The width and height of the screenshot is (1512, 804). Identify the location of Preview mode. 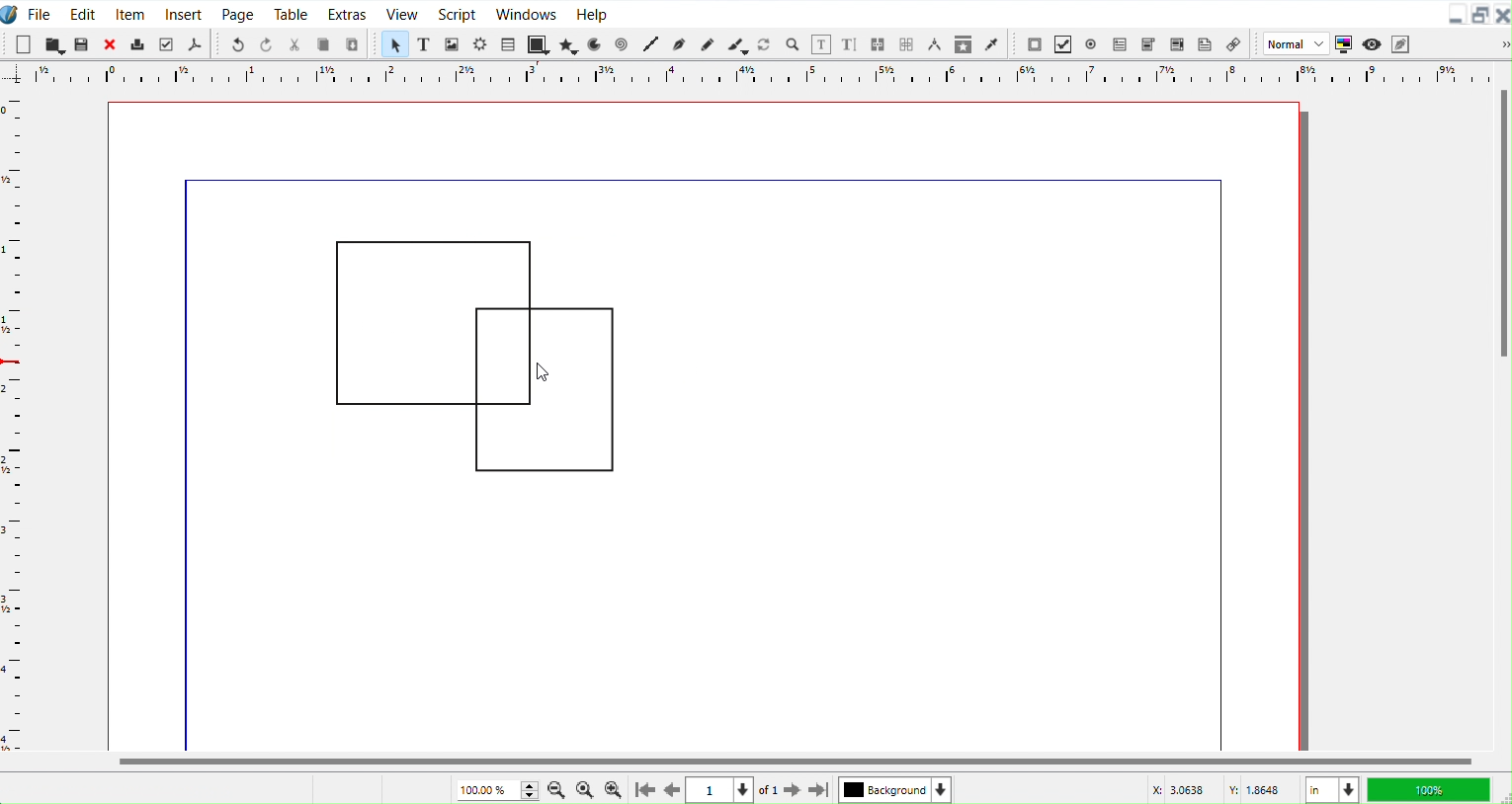
(1371, 42).